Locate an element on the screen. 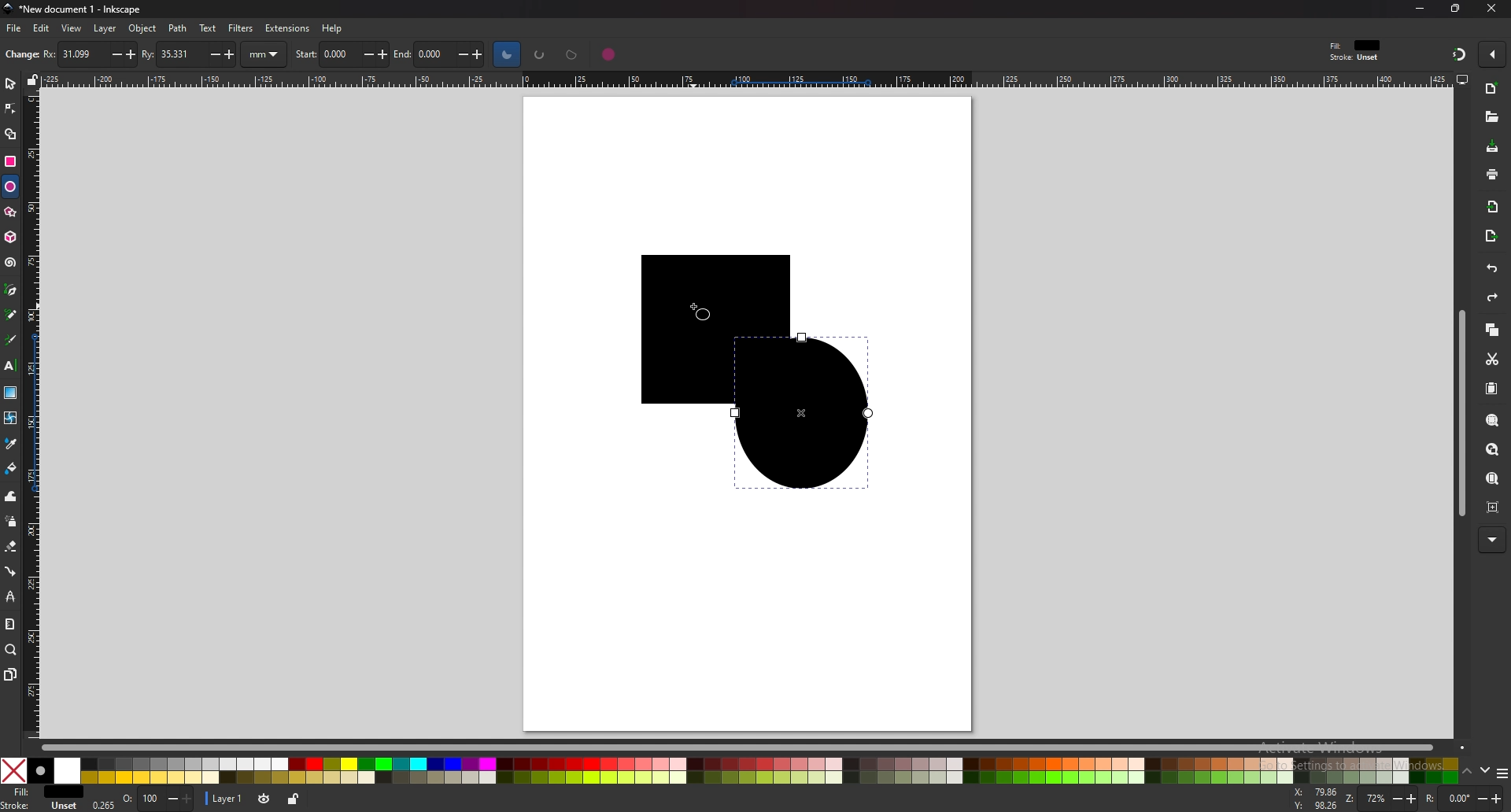 This screenshot has height=812, width=1511. slice is located at coordinates (507, 54).